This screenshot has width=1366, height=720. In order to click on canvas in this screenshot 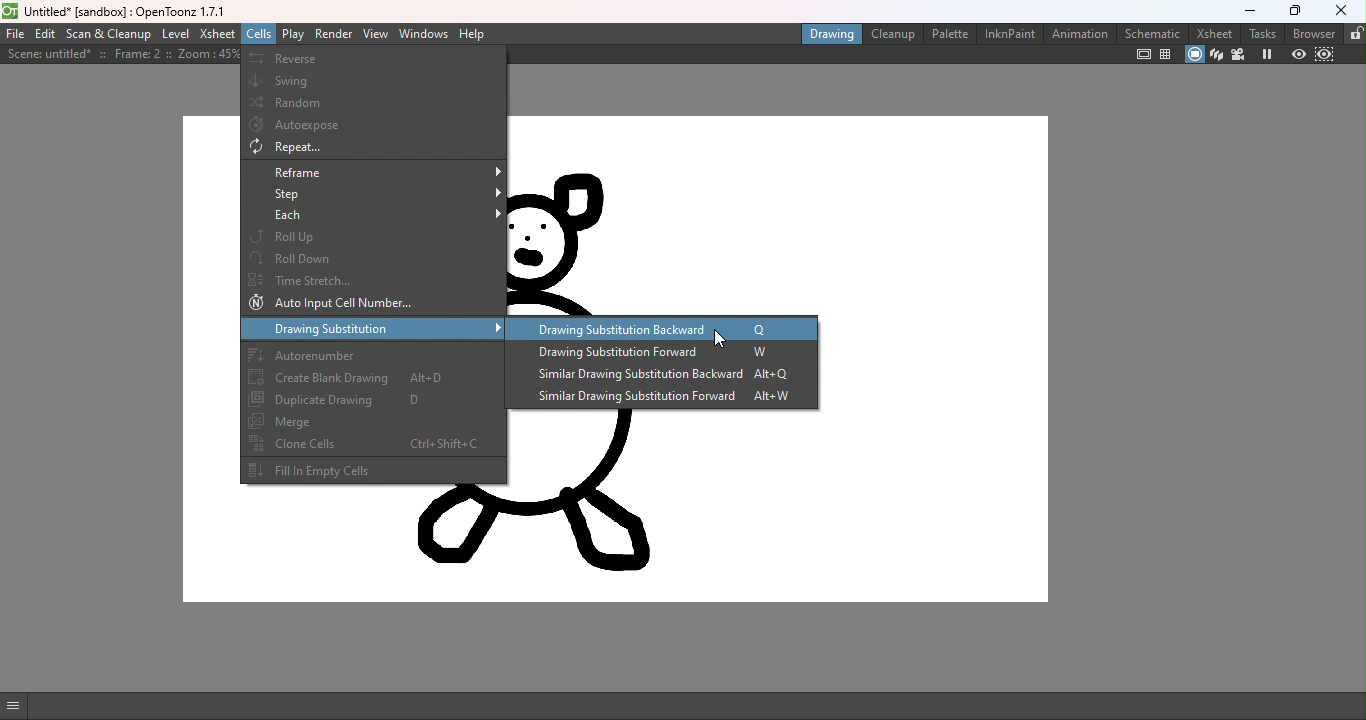, I will do `click(777, 507)`.